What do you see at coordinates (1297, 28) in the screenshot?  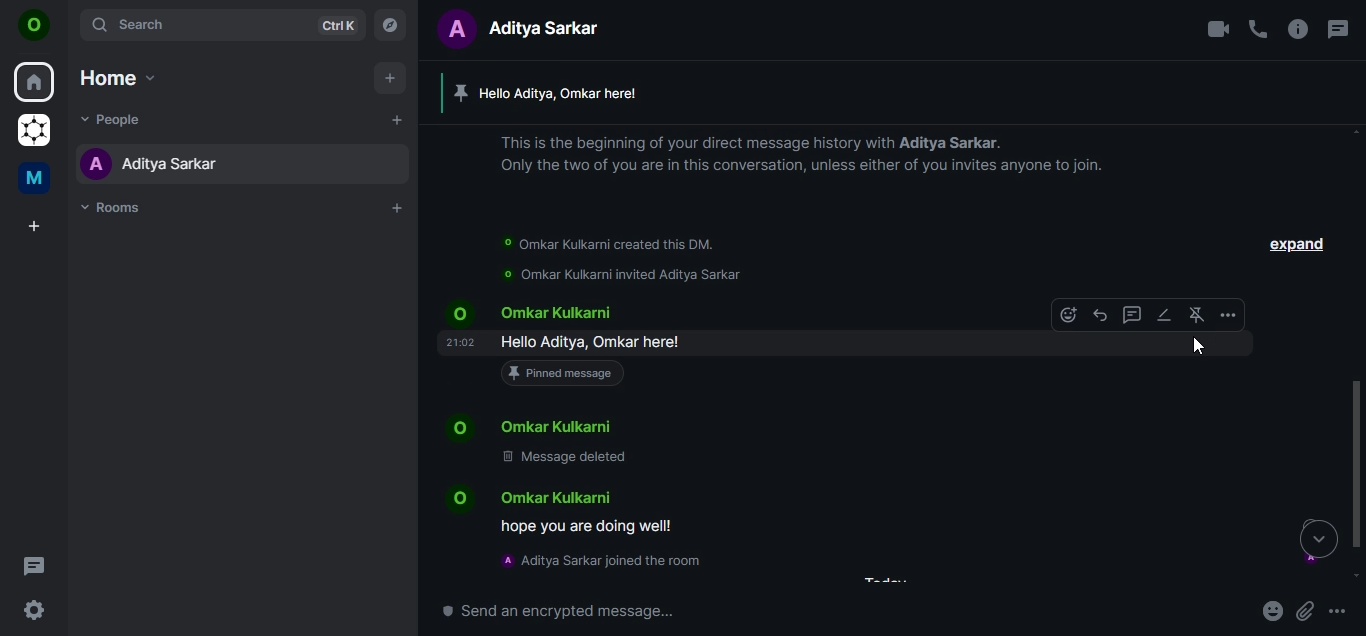 I see `room info` at bounding box center [1297, 28].